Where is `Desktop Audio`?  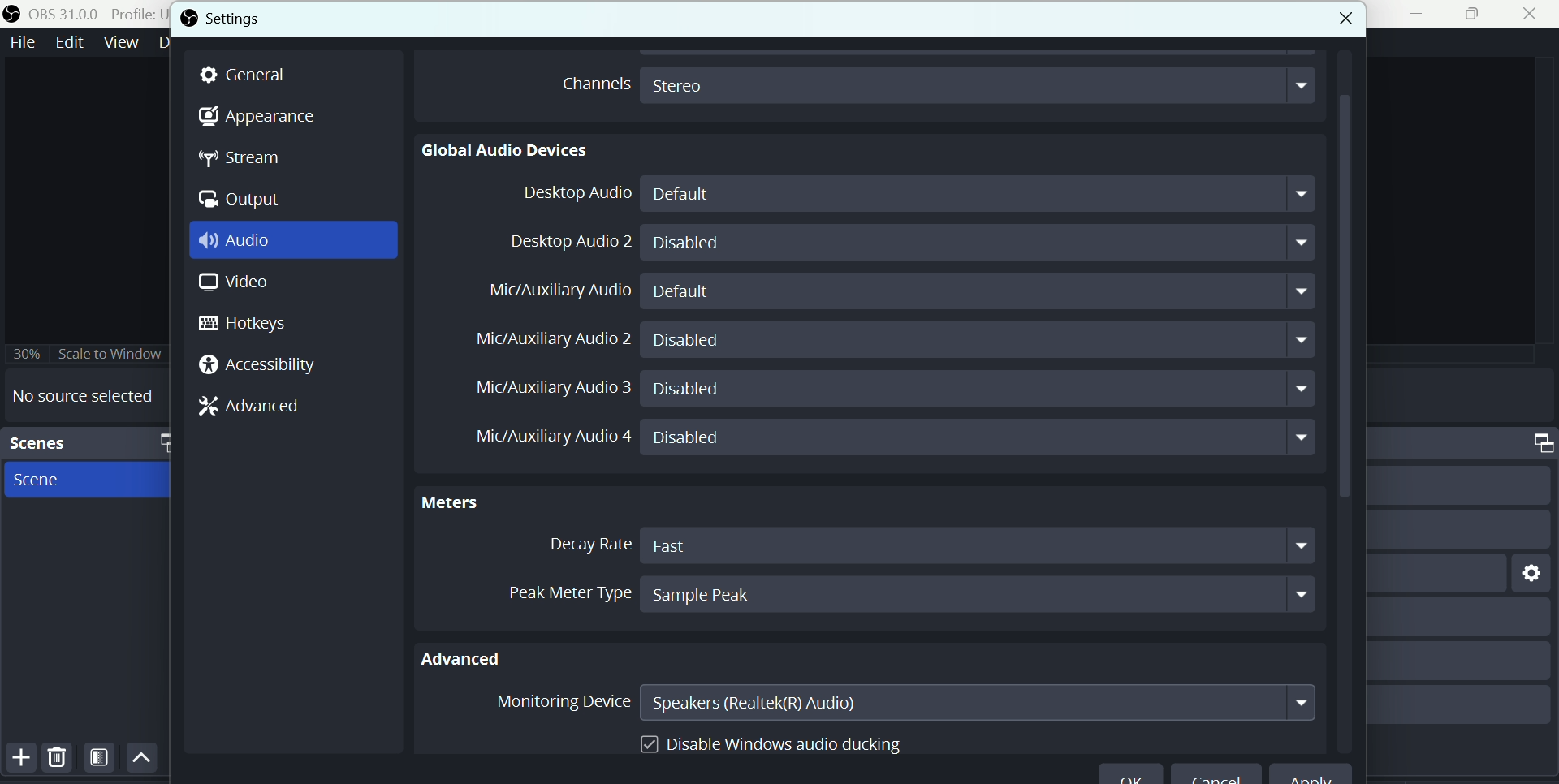
Desktop Audio is located at coordinates (570, 195).